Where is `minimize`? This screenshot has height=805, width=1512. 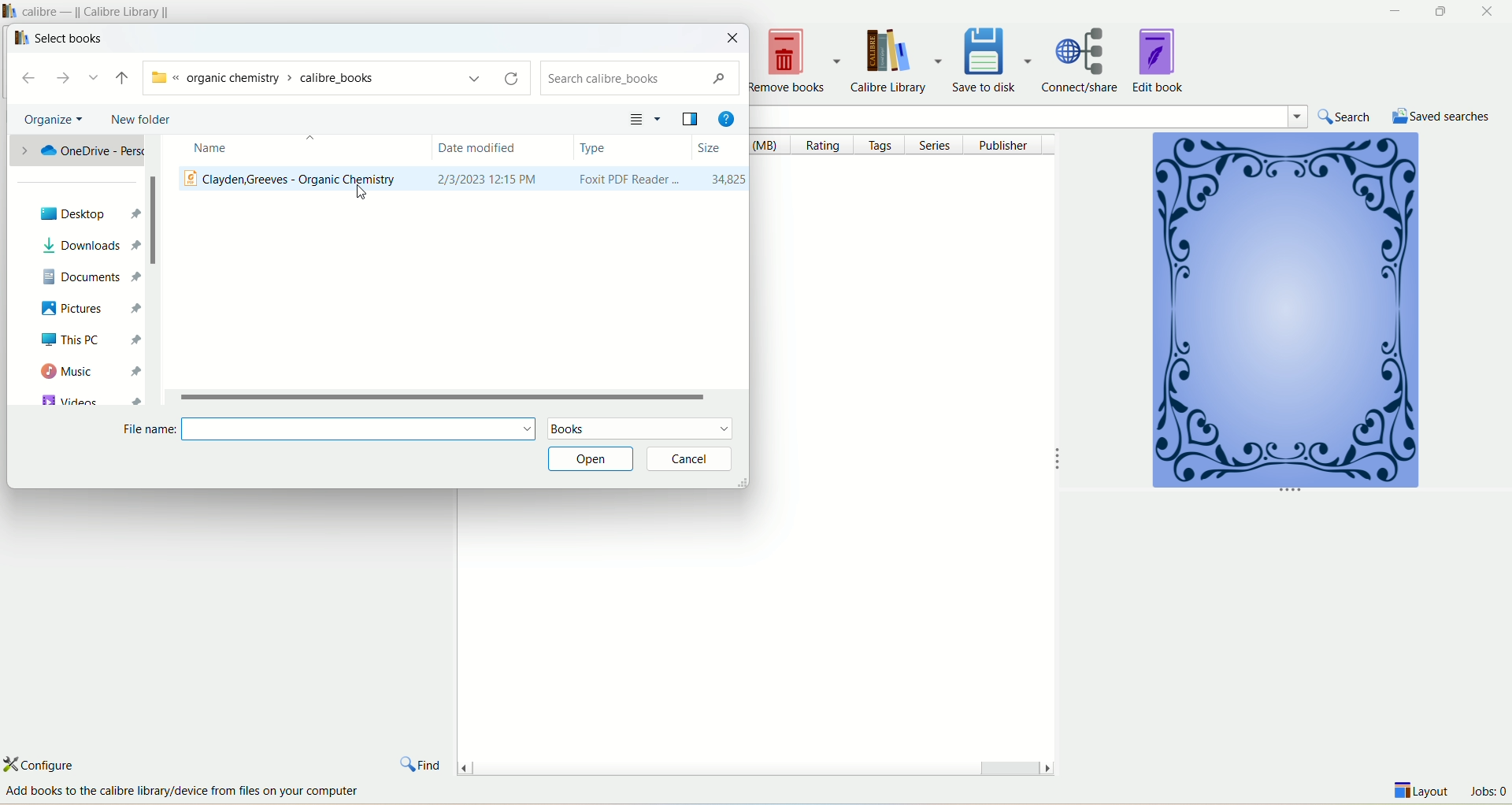 minimize is located at coordinates (1392, 11).